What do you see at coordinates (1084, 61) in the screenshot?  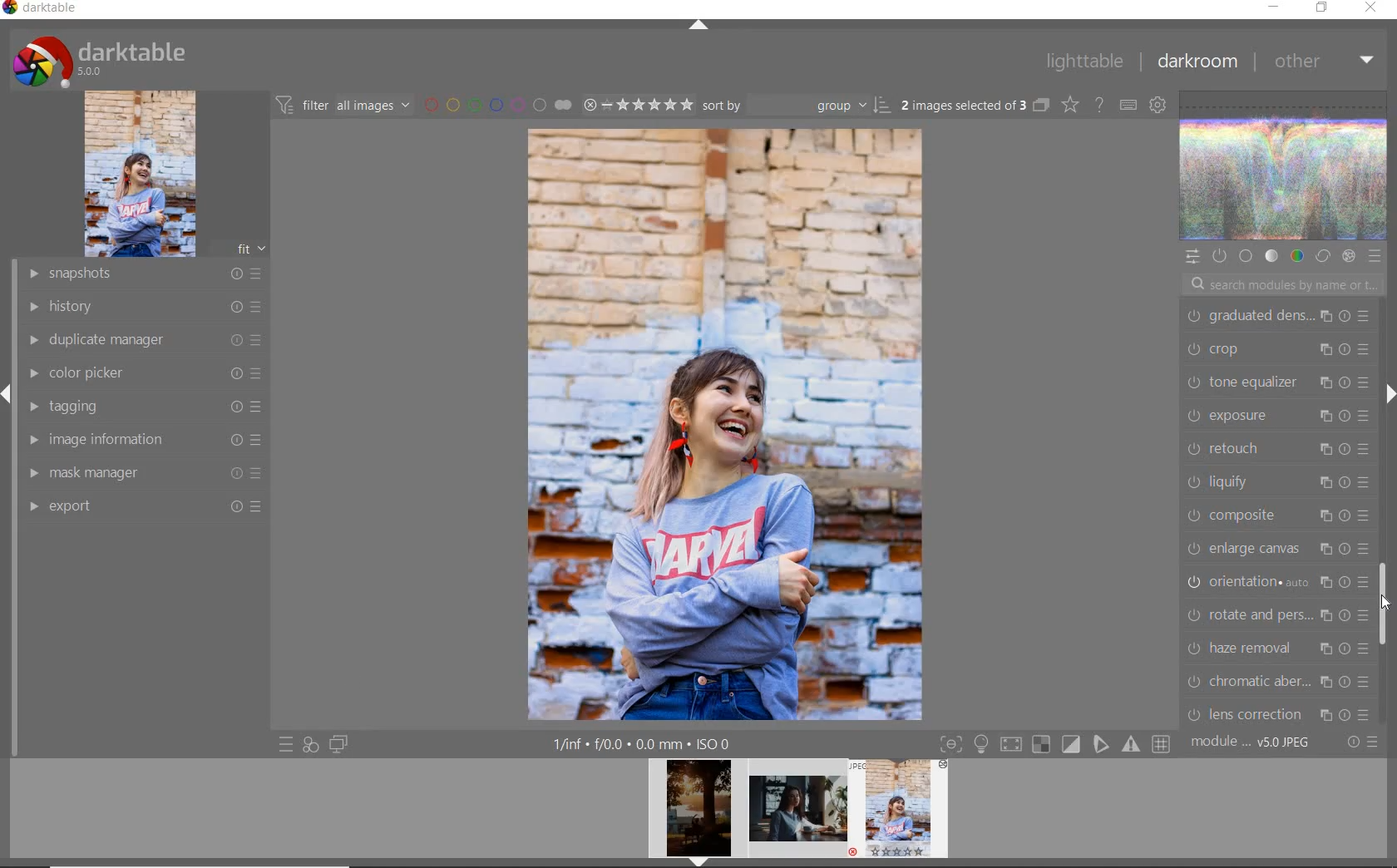 I see `LIGHTTABLE` at bounding box center [1084, 61].